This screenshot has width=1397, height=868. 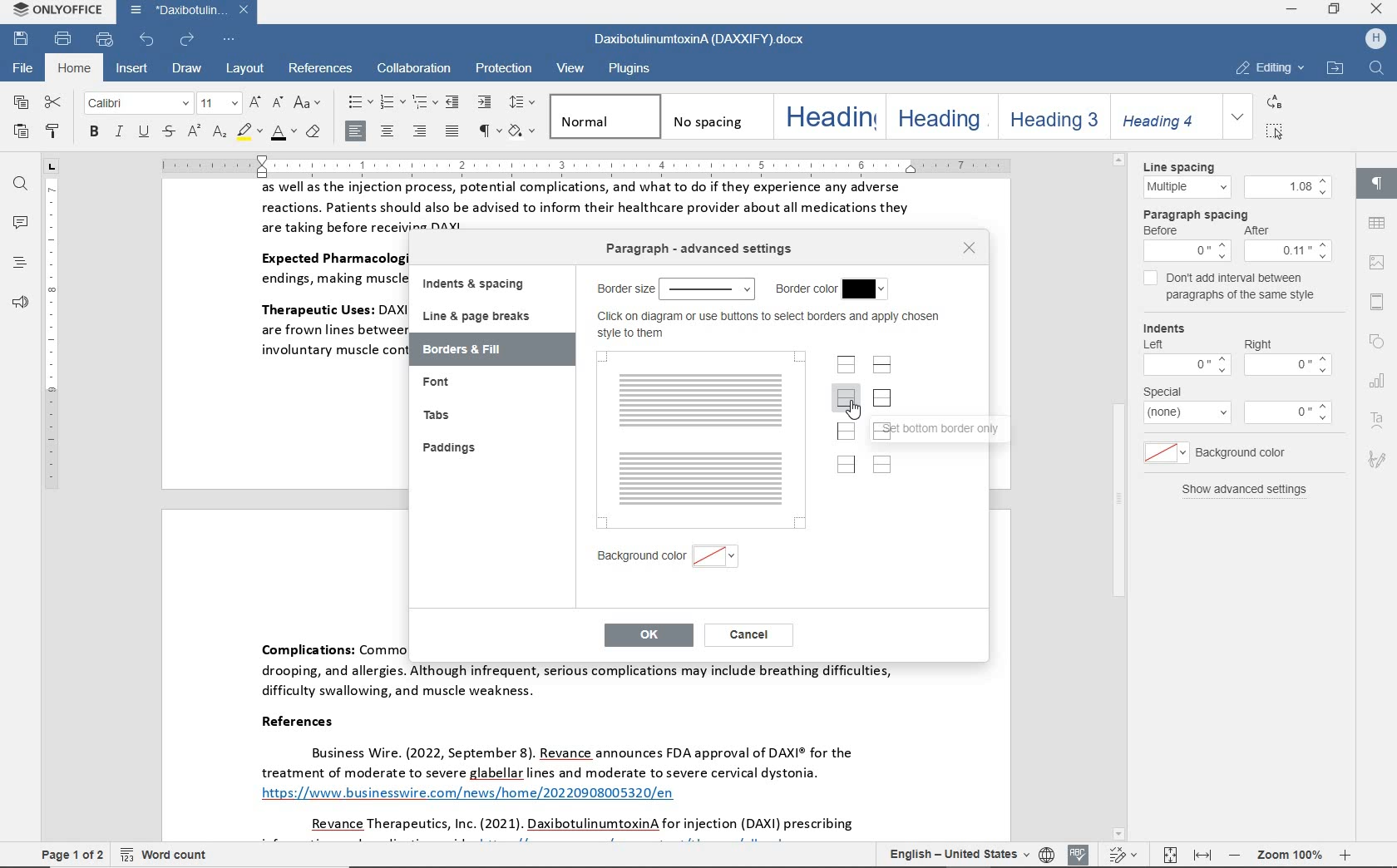 What do you see at coordinates (1346, 499) in the screenshot?
I see `scrollbar` at bounding box center [1346, 499].